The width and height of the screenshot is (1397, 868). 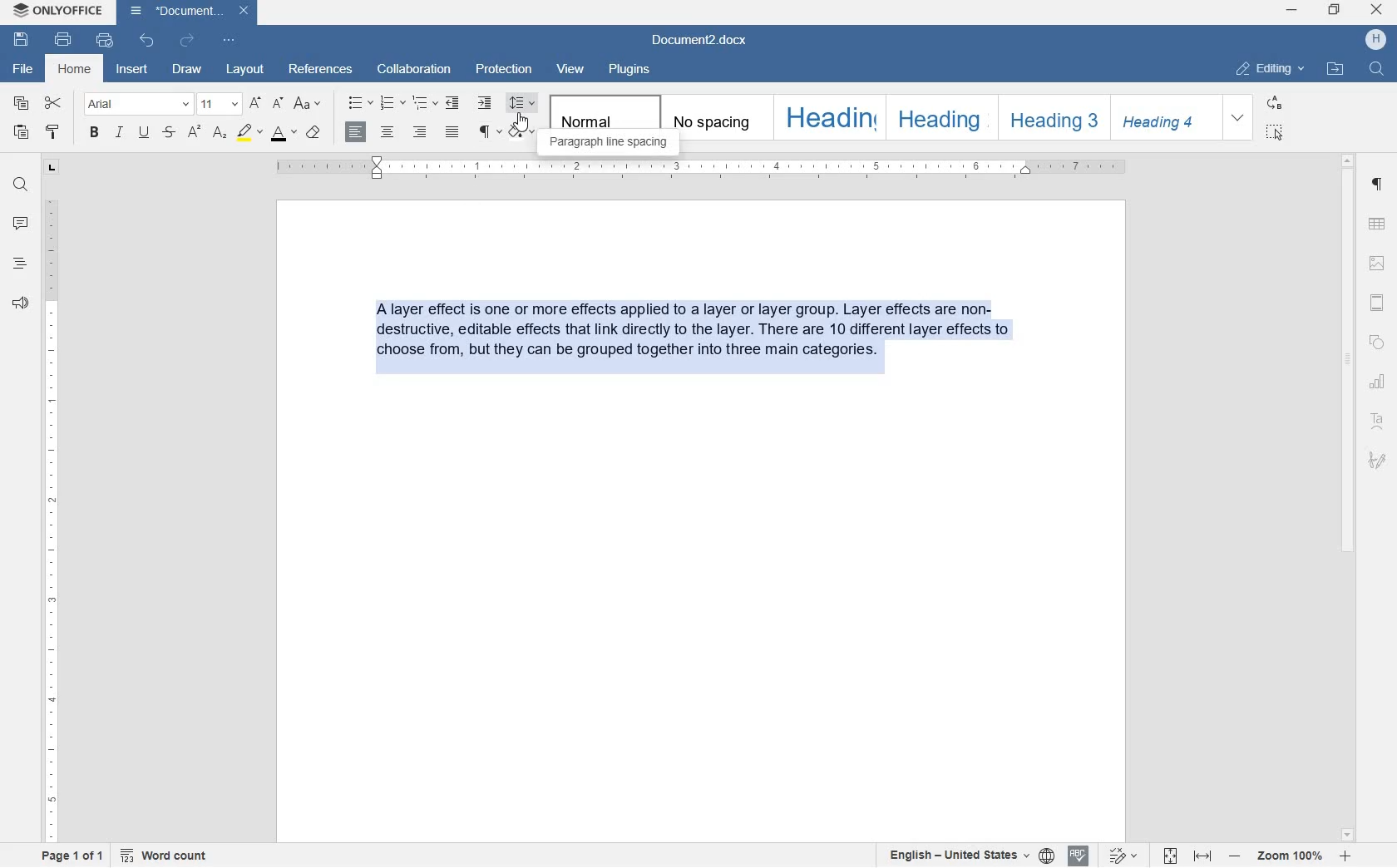 What do you see at coordinates (220, 134) in the screenshot?
I see `subscript` at bounding box center [220, 134].